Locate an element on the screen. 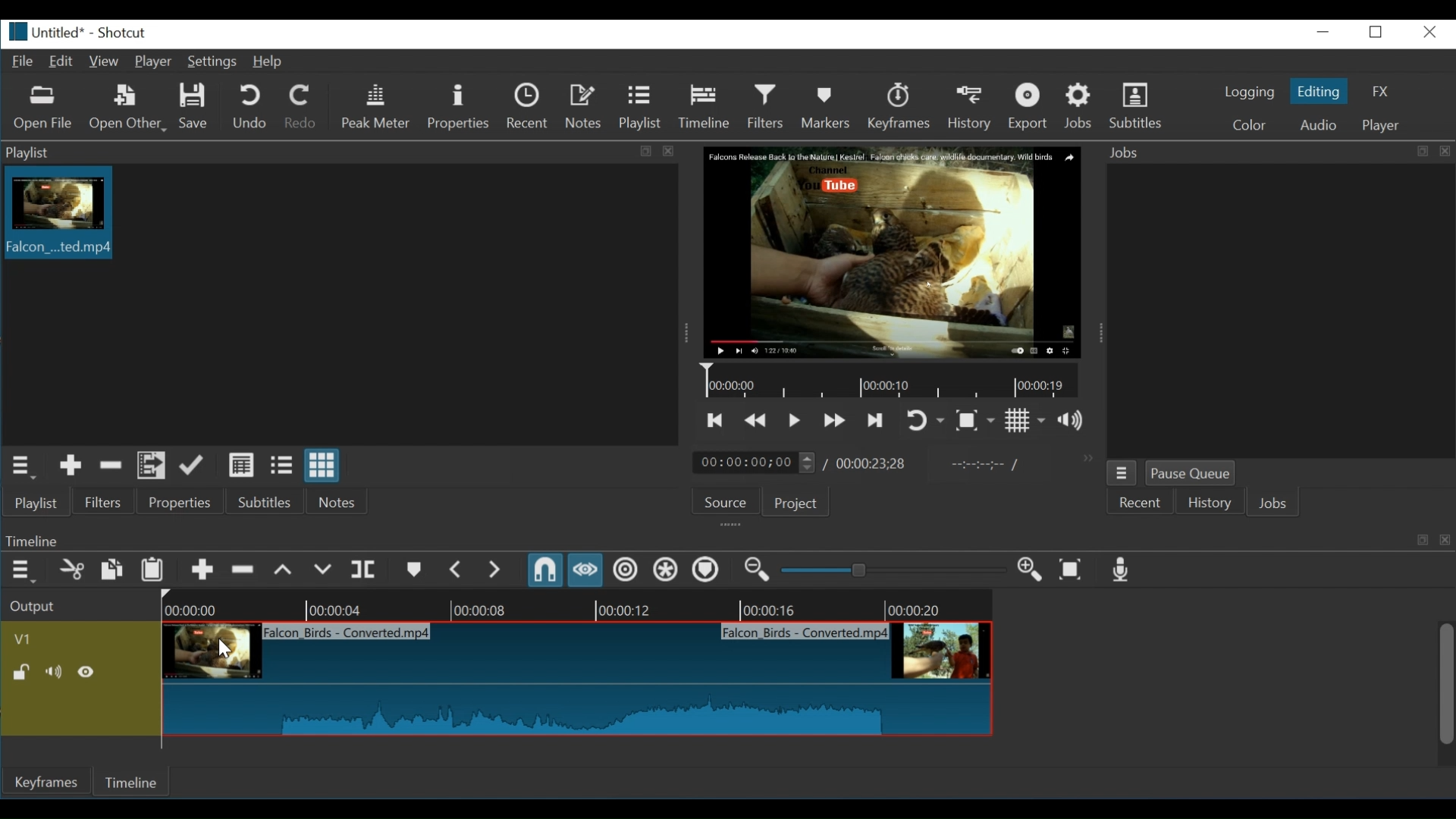  View as icon is located at coordinates (324, 465).